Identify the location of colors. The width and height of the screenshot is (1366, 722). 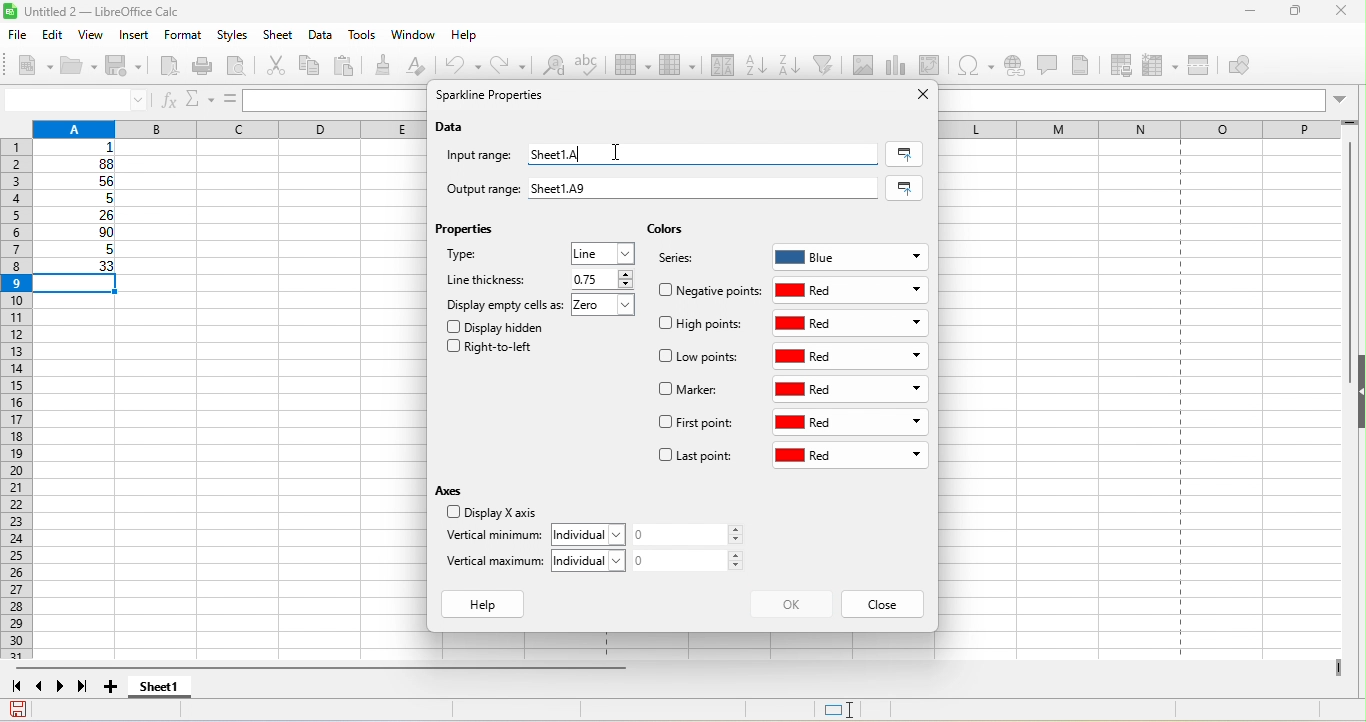
(665, 230).